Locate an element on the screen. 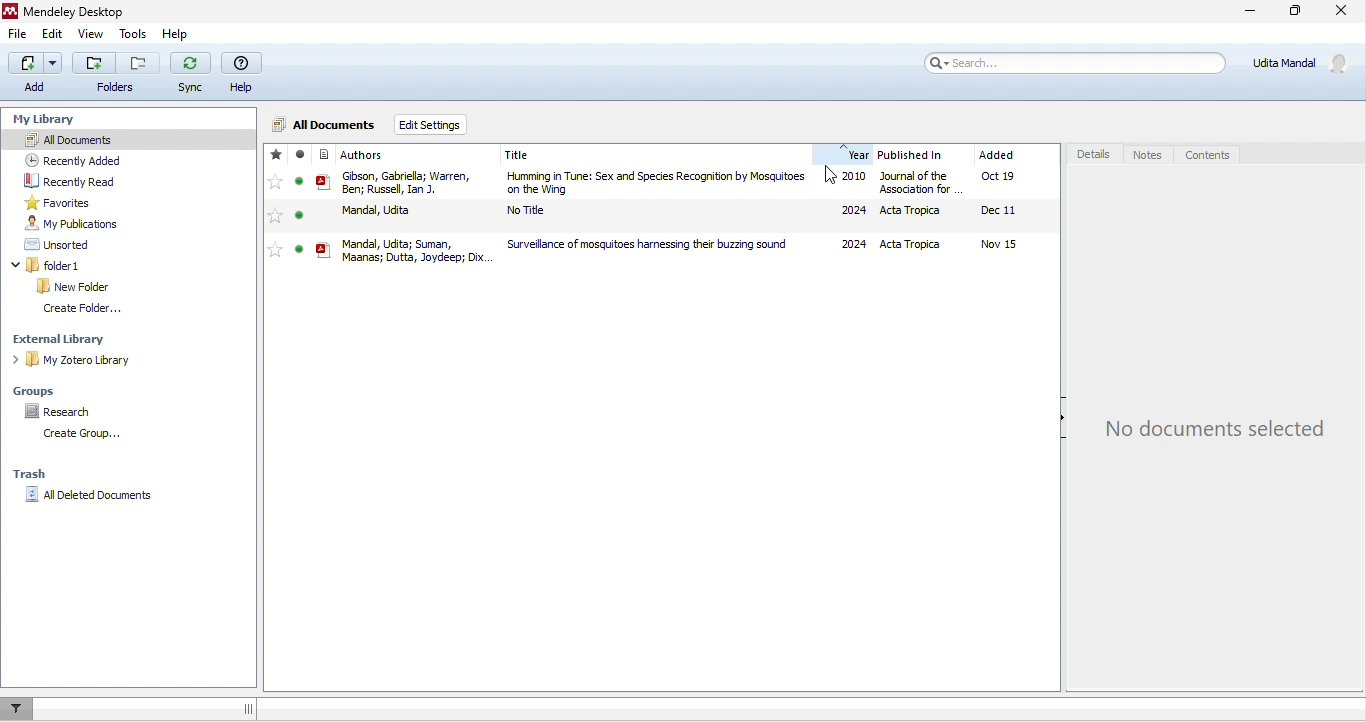 The height and width of the screenshot is (722, 1366). file is located at coordinates (15, 35).